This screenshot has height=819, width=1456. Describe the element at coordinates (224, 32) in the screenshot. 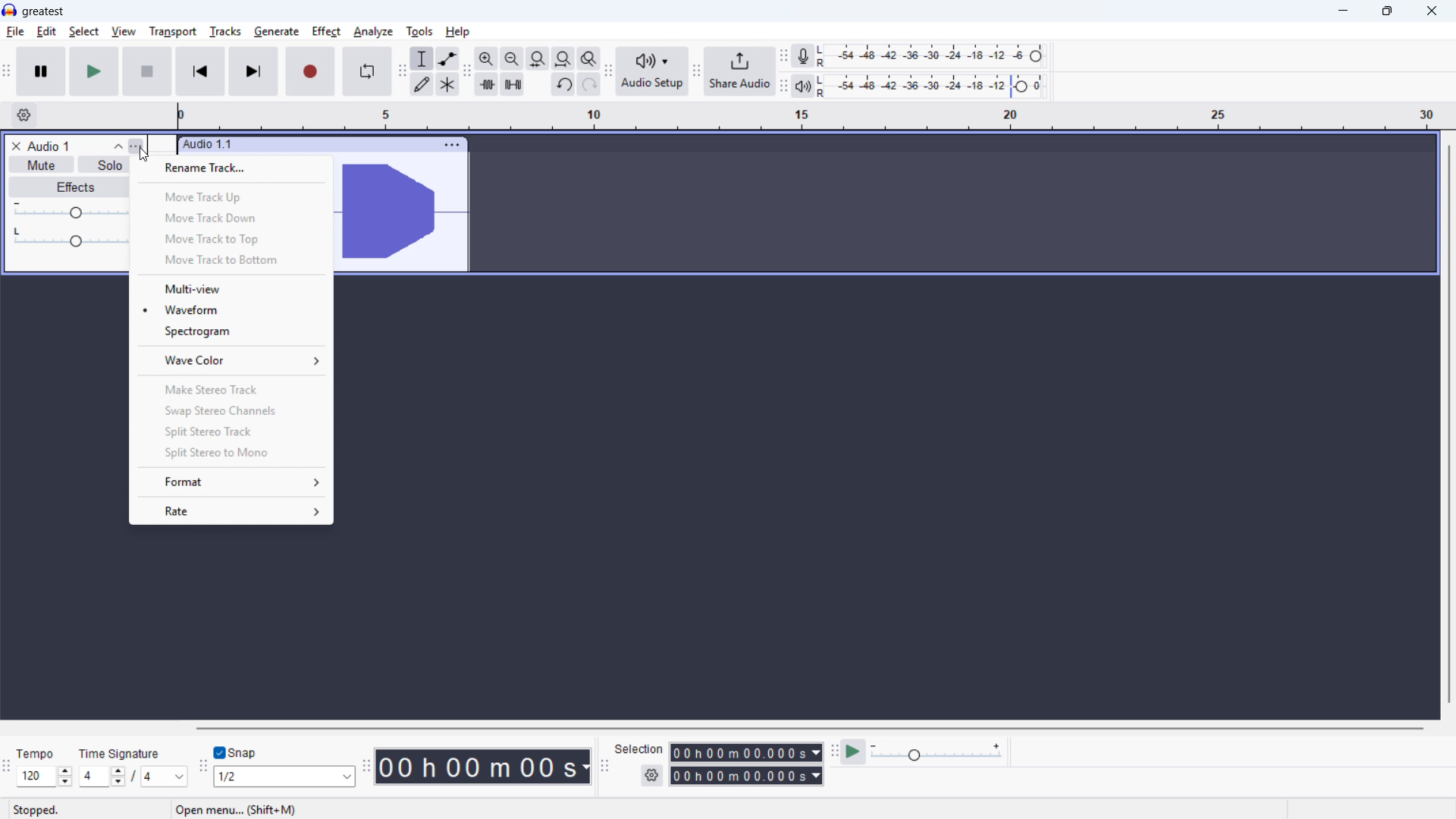

I see `tracks ` at that location.